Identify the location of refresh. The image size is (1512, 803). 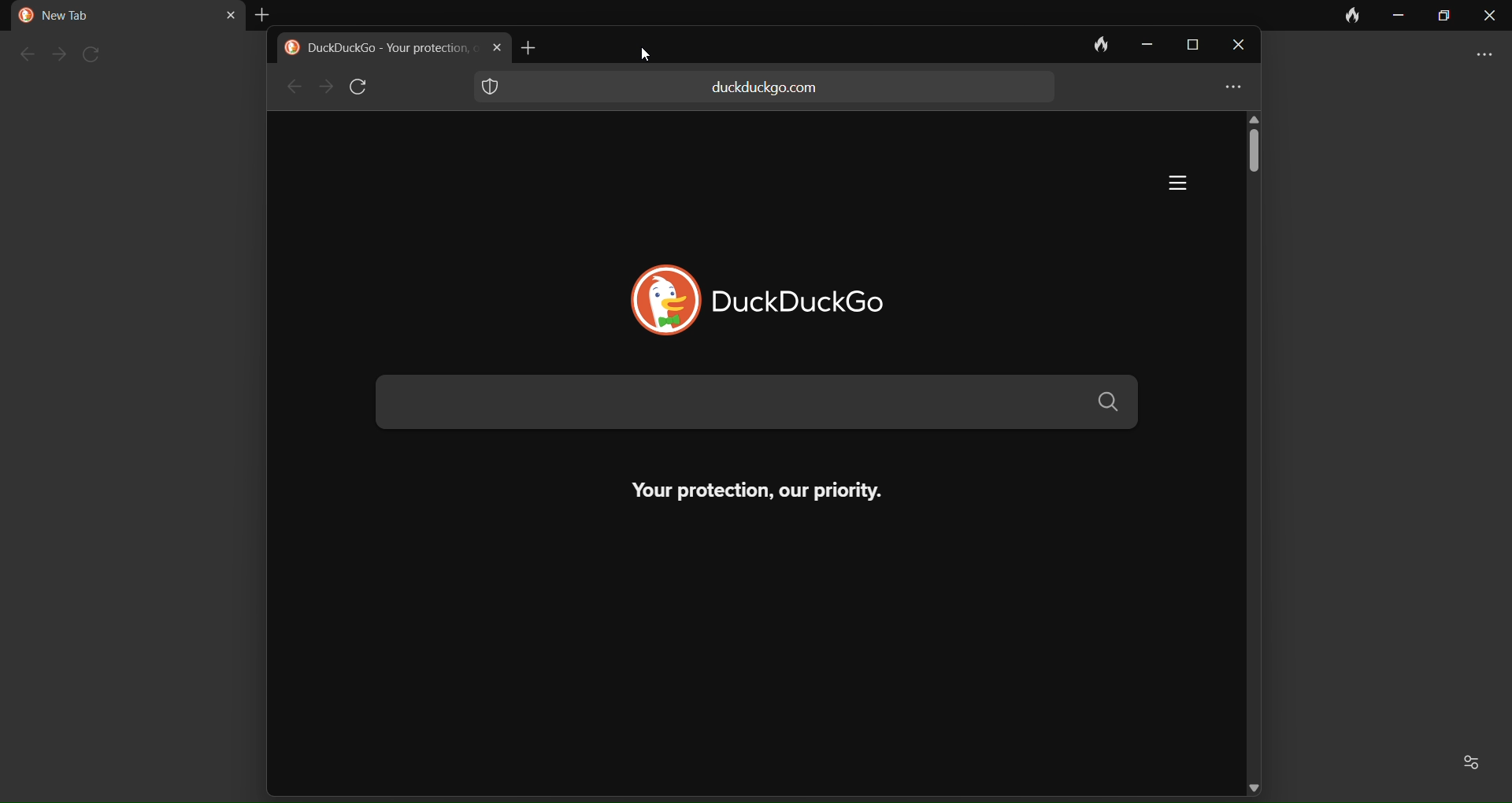
(96, 54).